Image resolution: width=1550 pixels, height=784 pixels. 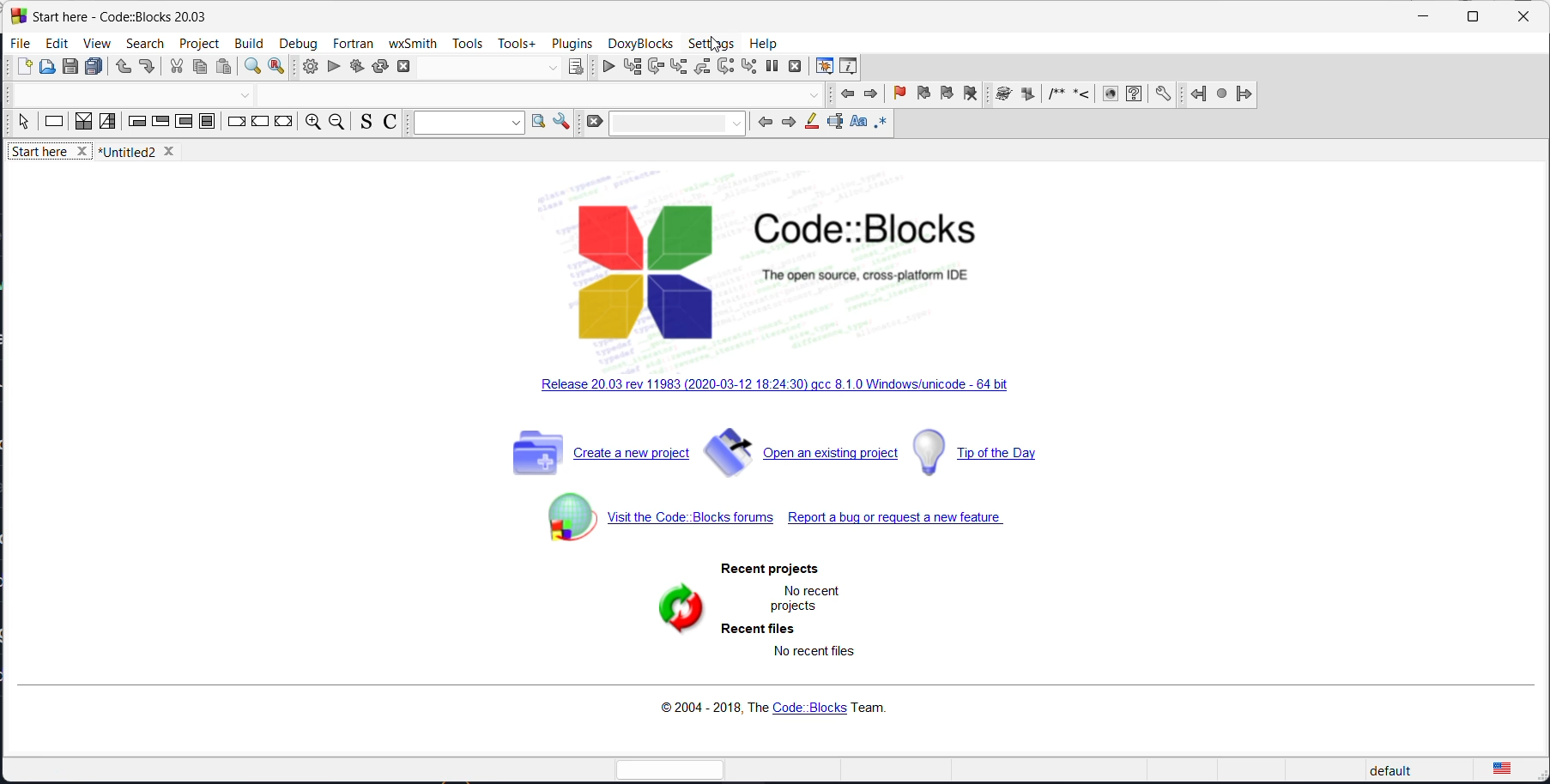 What do you see at coordinates (851, 66) in the screenshot?
I see `Various info` at bounding box center [851, 66].